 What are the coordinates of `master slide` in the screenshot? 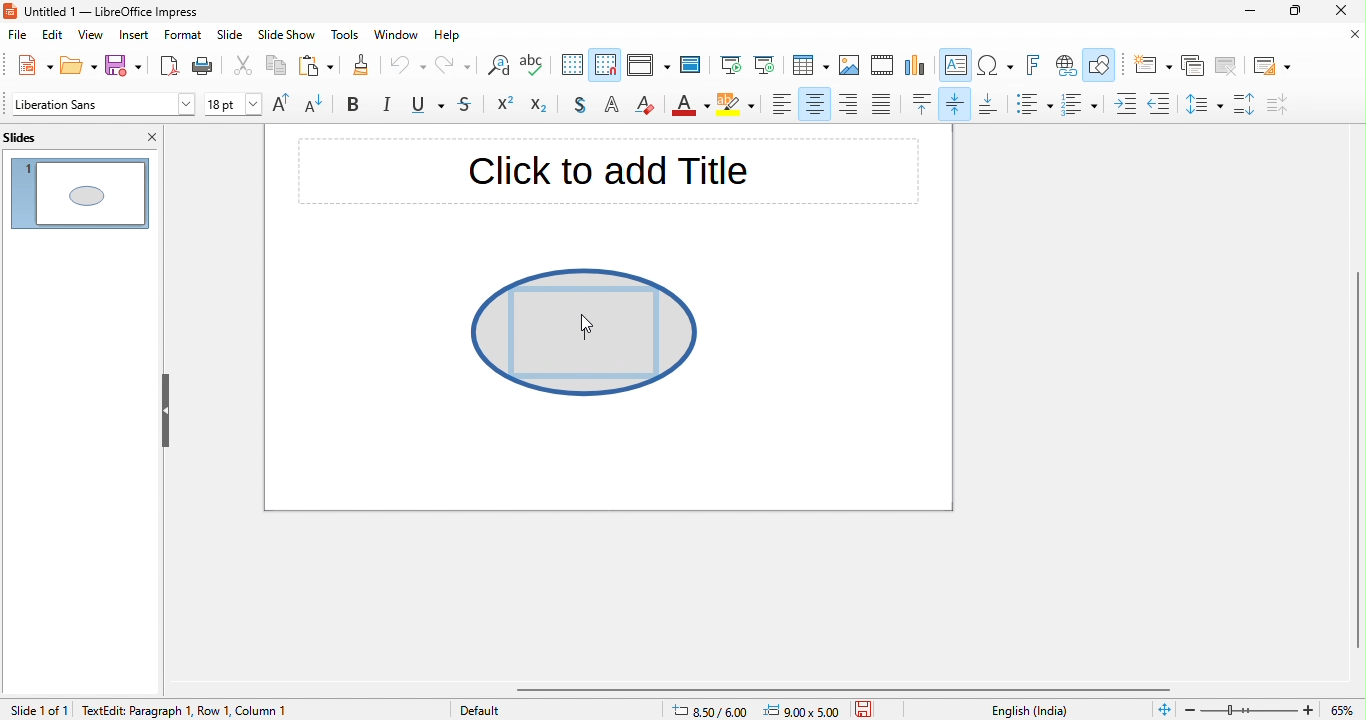 It's located at (694, 65).